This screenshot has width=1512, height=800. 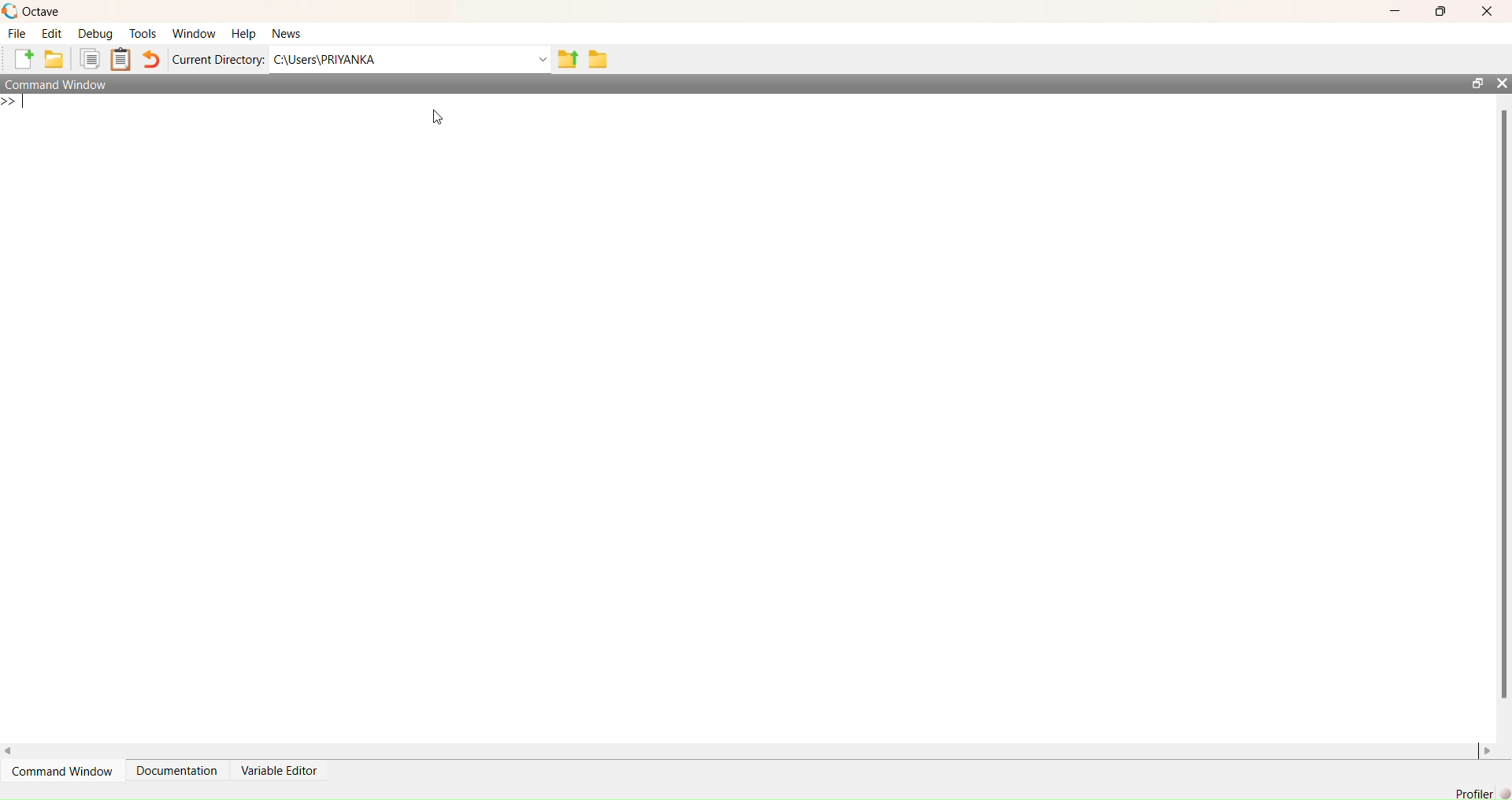 I want to click on octave, so click(x=43, y=13).